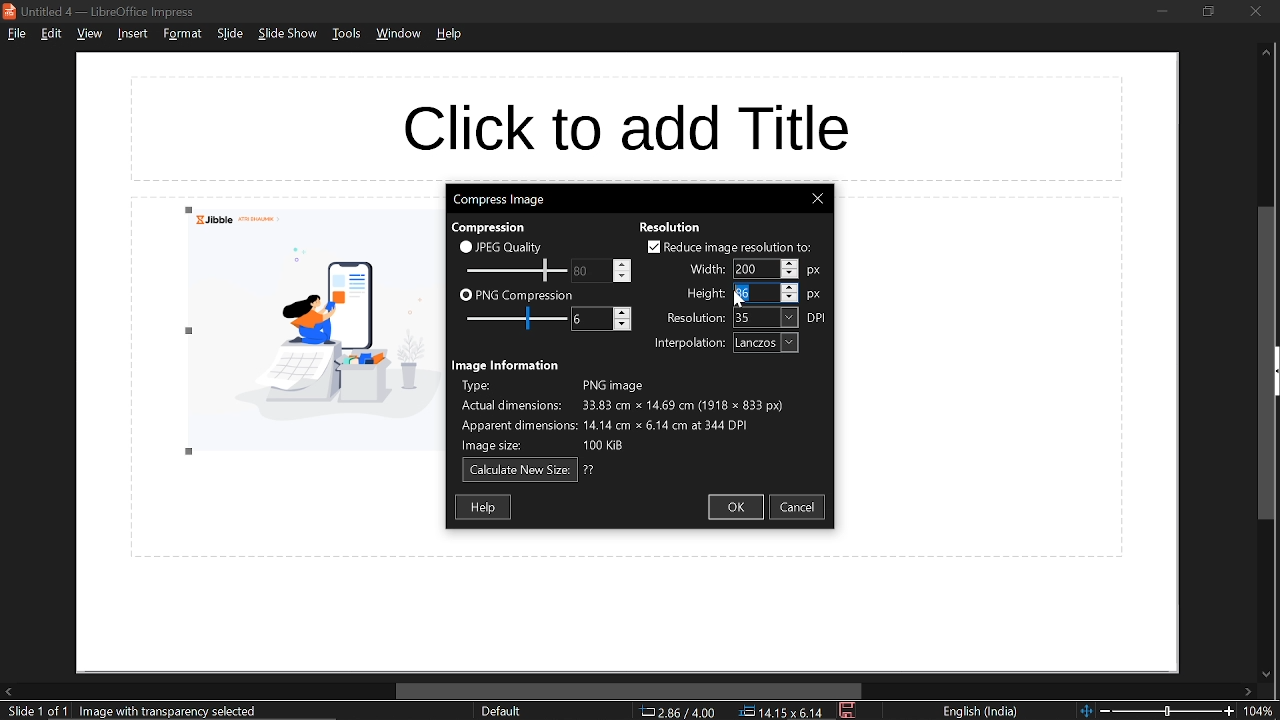  What do you see at coordinates (766, 318) in the screenshot?
I see `resolution` at bounding box center [766, 318].